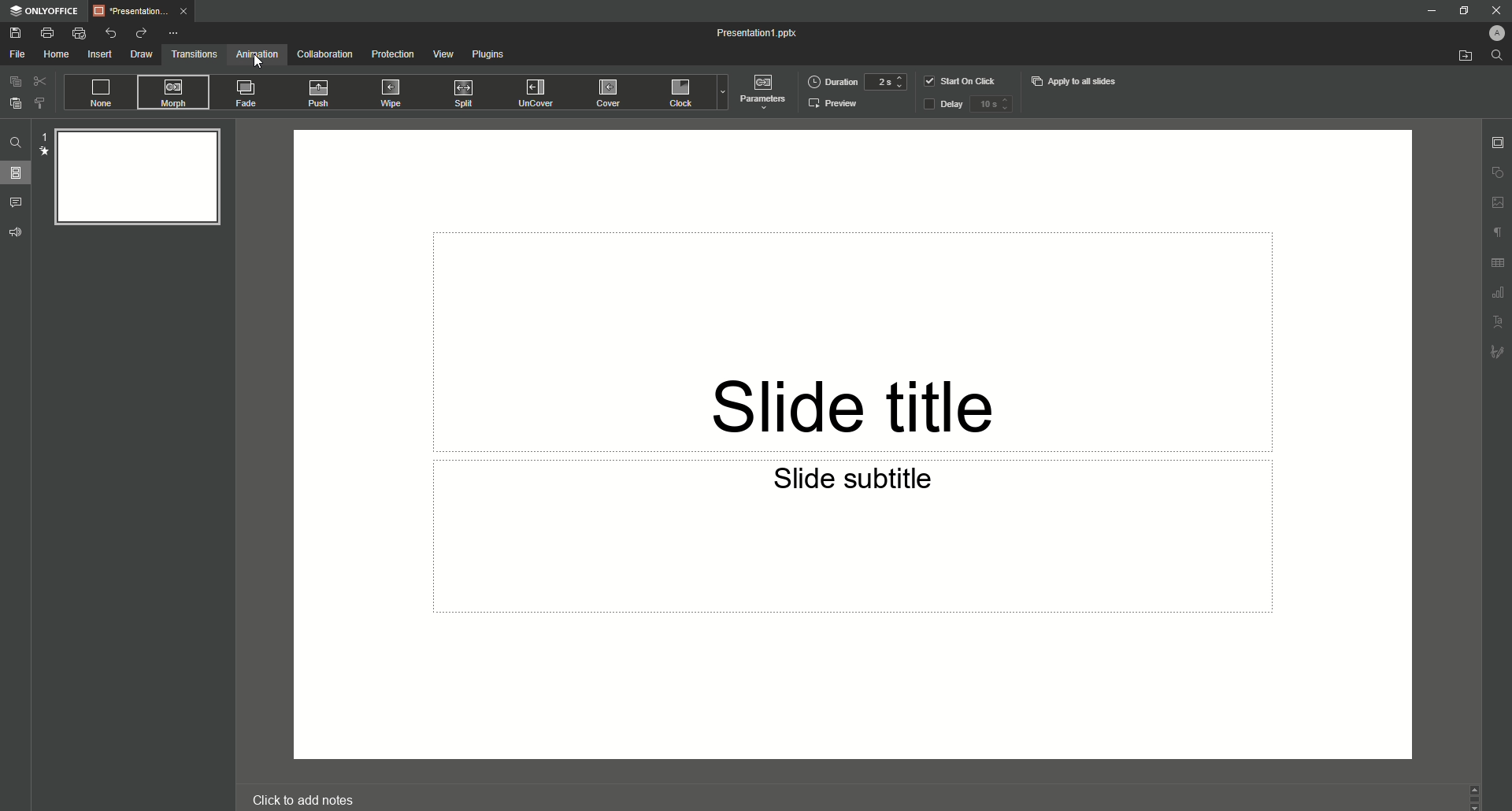 The height and width of the screenshot is (811, 1512). Describe the element at coordinates (258, 55) in the screenshot. I see `Animation` at that location.